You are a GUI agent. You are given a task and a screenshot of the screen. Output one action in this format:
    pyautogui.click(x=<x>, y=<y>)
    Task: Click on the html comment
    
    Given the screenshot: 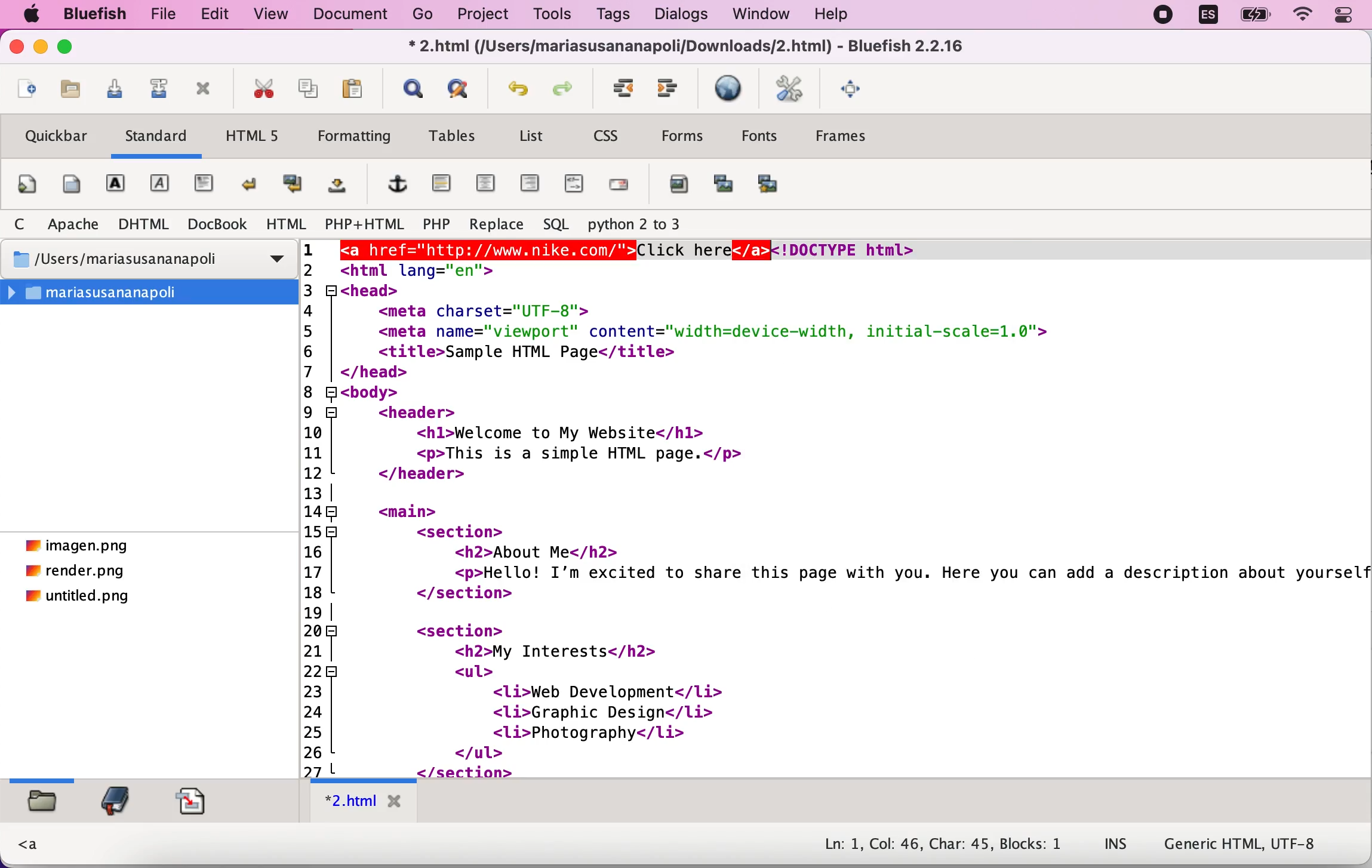 What is the action you would take?
    pyautogui.click(x=570, y=184)
    